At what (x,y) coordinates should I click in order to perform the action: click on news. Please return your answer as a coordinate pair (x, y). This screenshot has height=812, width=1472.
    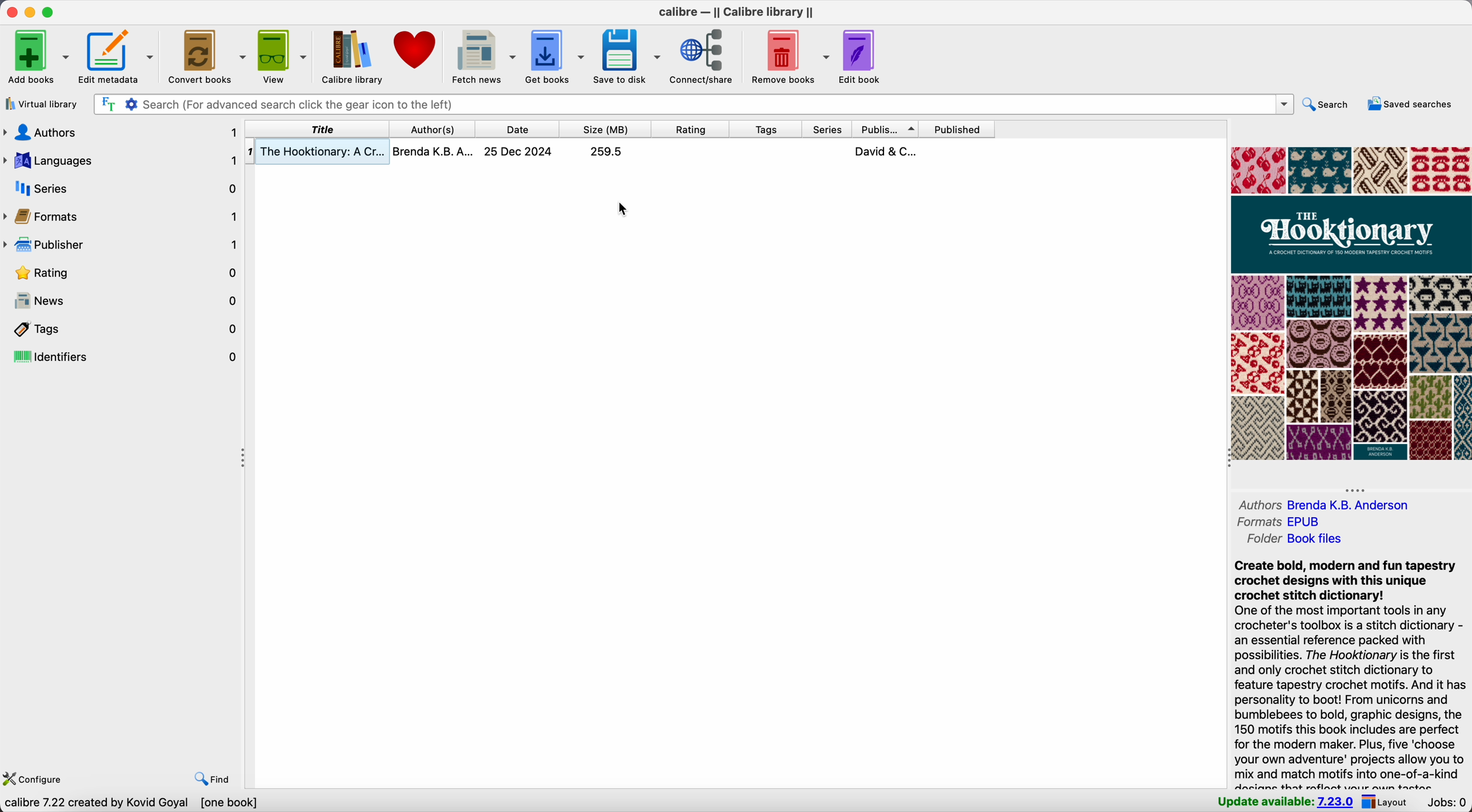
    Looking at the image, I should click on (122, 302).